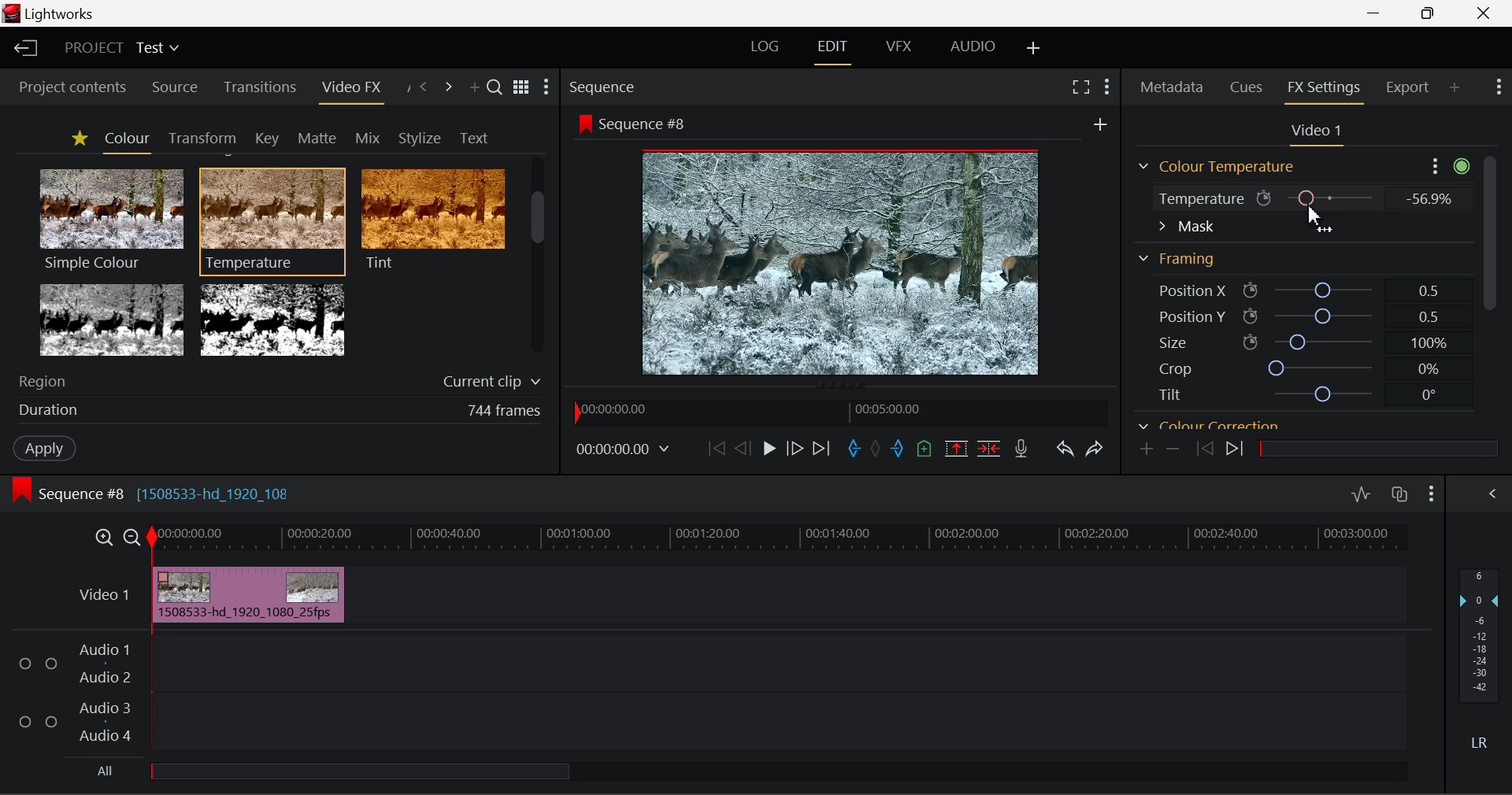 The width and height of the screenshot is (1512, 795). I want to click on Temperature, so click(1332, 197).